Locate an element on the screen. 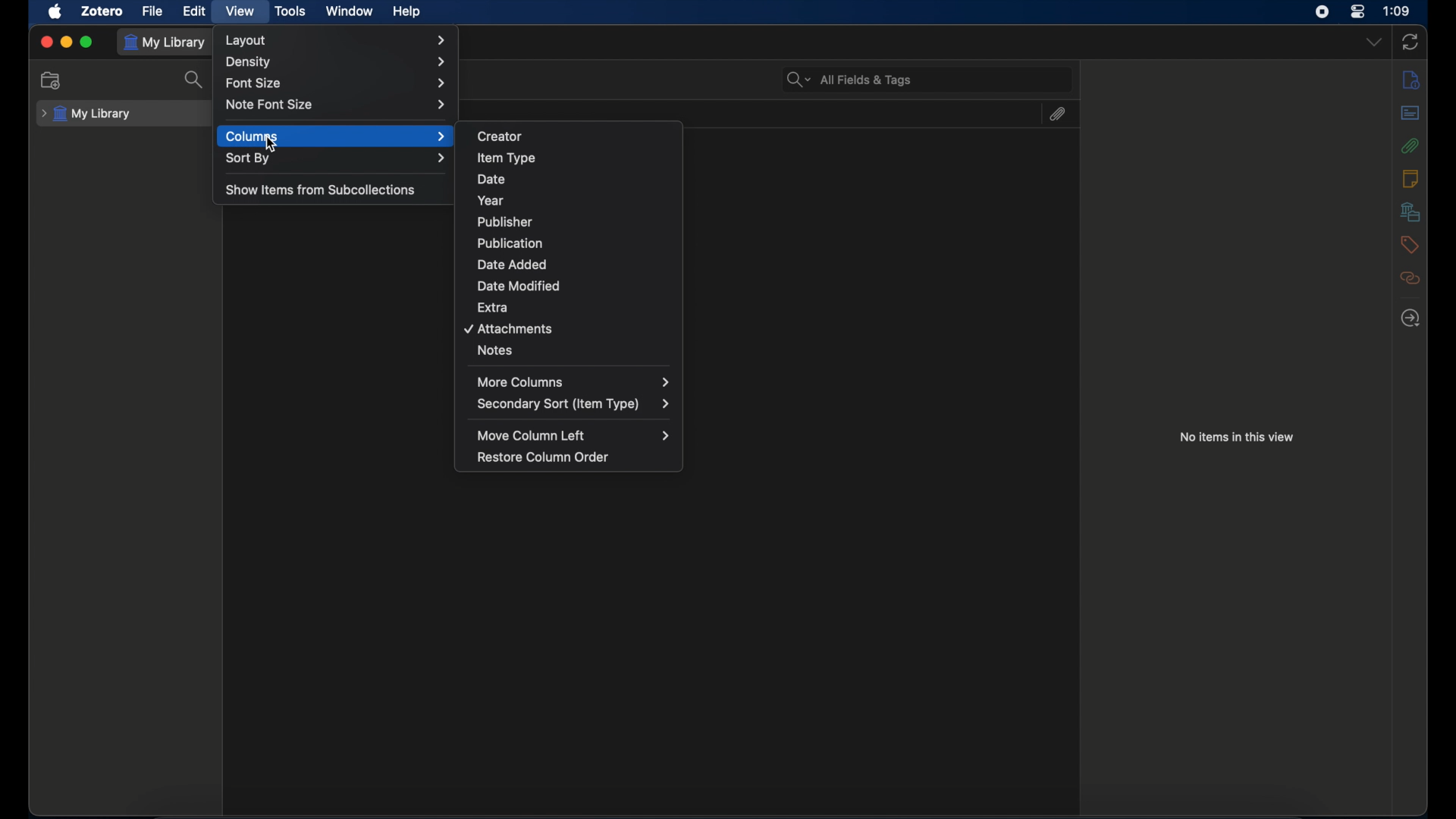  move column left is located at coordinates (573, 436).